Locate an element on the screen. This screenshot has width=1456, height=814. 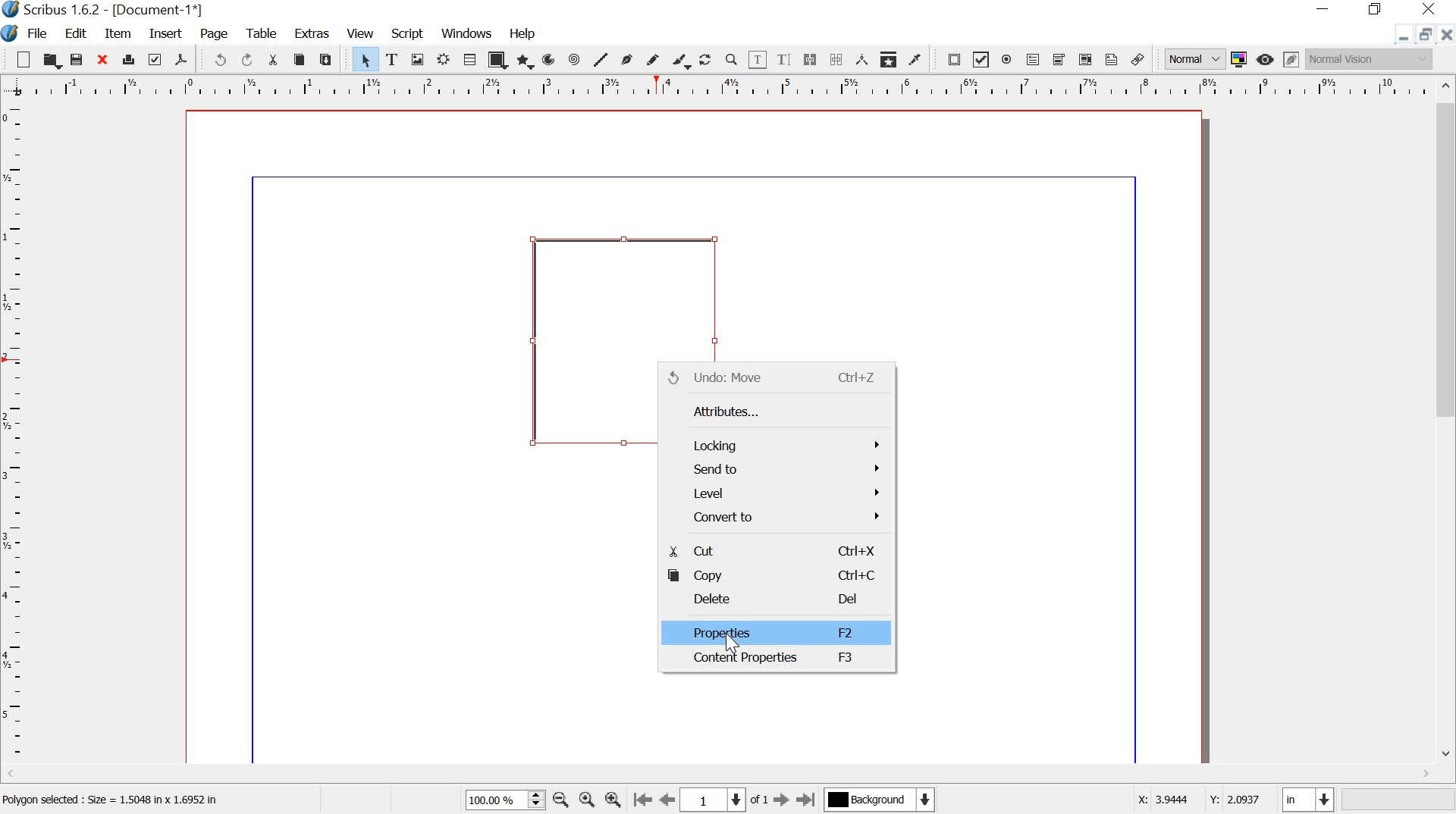
preview mode is located at coordinates (1266, 59).